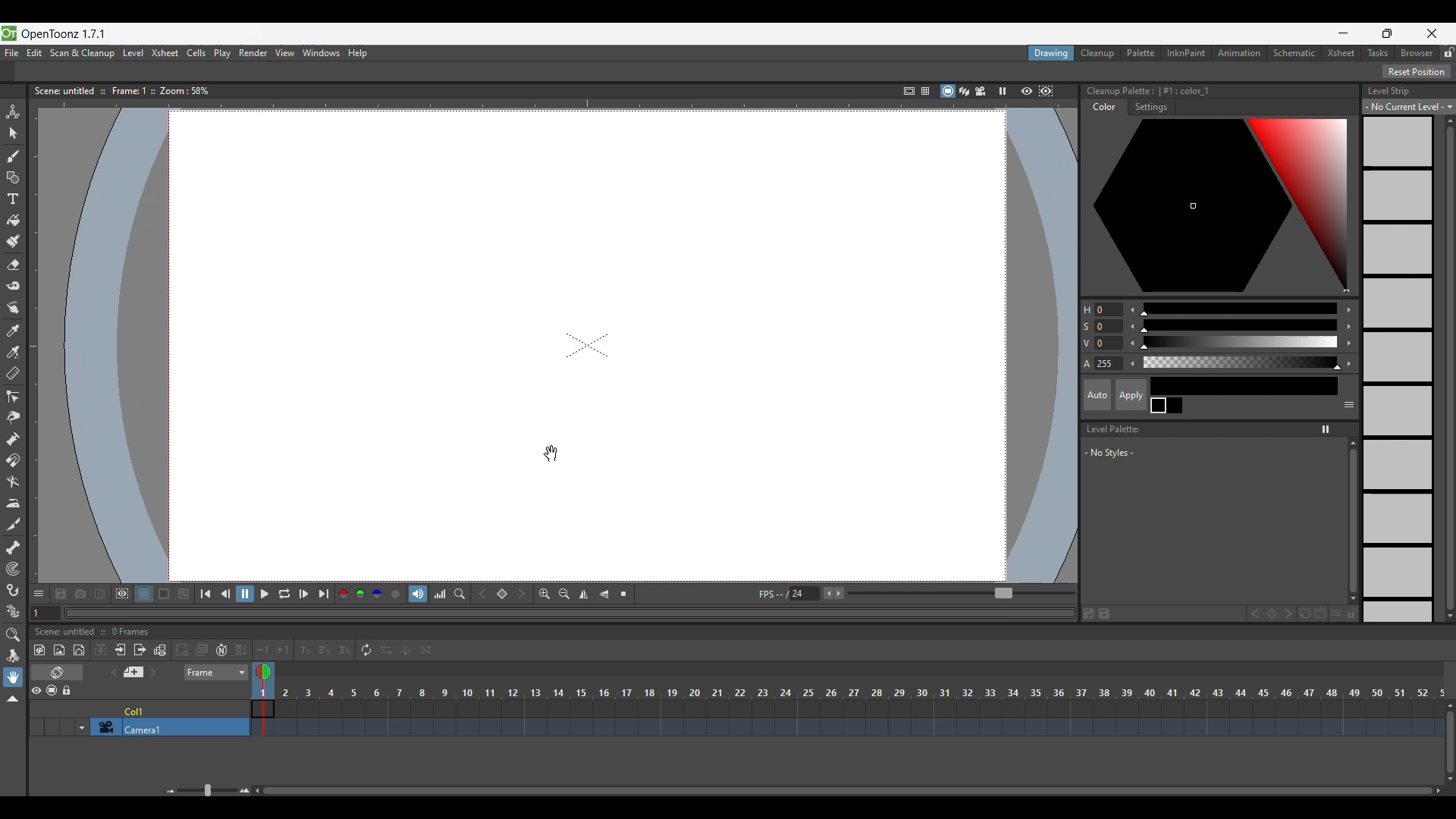 The height and width of the screenshot is (819, 1456). Describe the element at coordinates (418, 594) in the screenshot. I see `Soundtrack` at that location.